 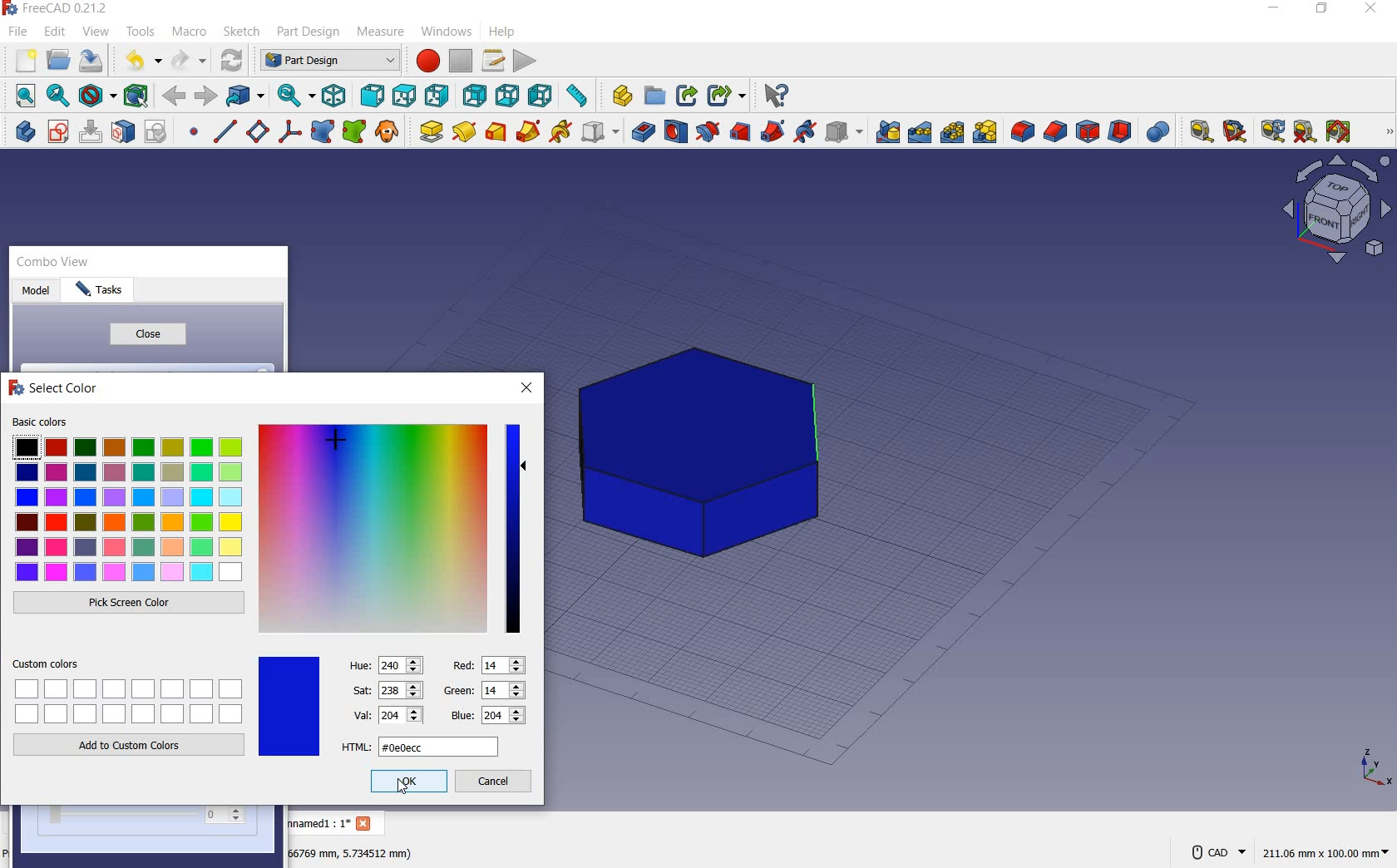 I want to click on additive helix, so click(x=561, y=131).